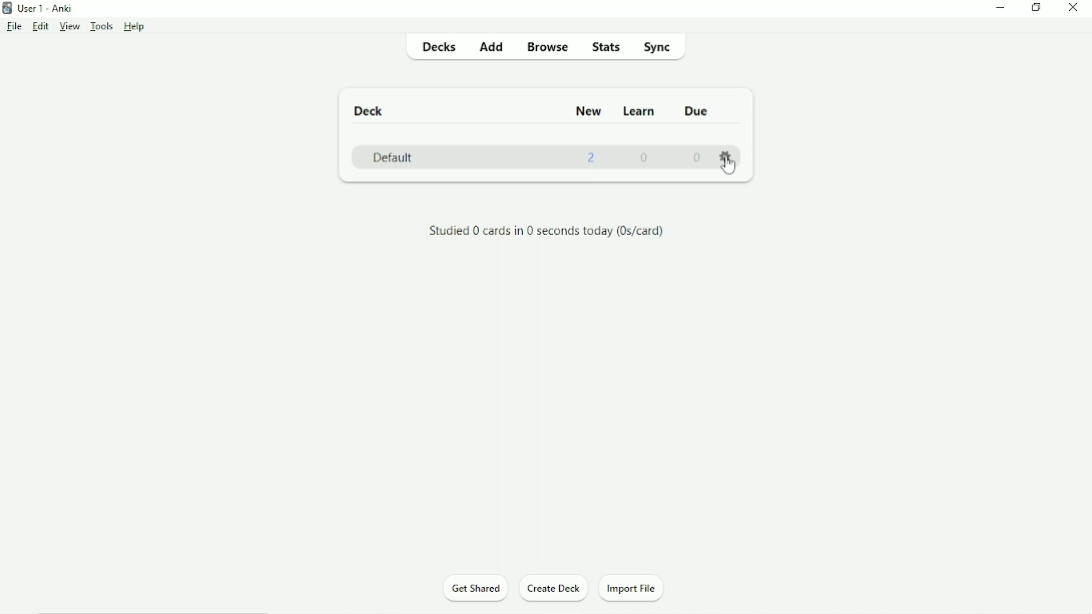 The height and width of the screenshot is (614, 1092). I want to click on Edit, so click(40, 25).